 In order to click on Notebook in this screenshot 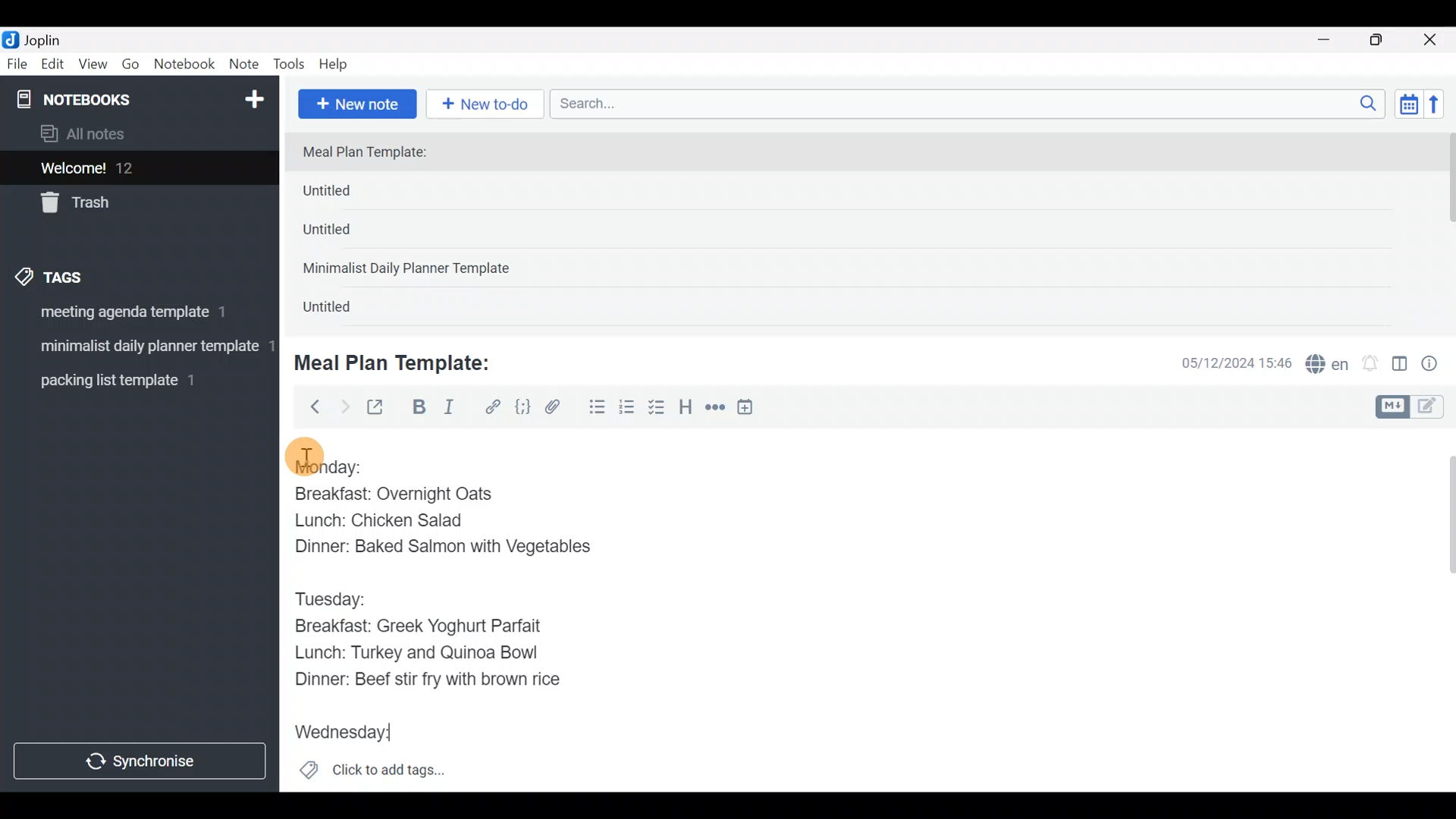, I will do `click(185, 64)`.